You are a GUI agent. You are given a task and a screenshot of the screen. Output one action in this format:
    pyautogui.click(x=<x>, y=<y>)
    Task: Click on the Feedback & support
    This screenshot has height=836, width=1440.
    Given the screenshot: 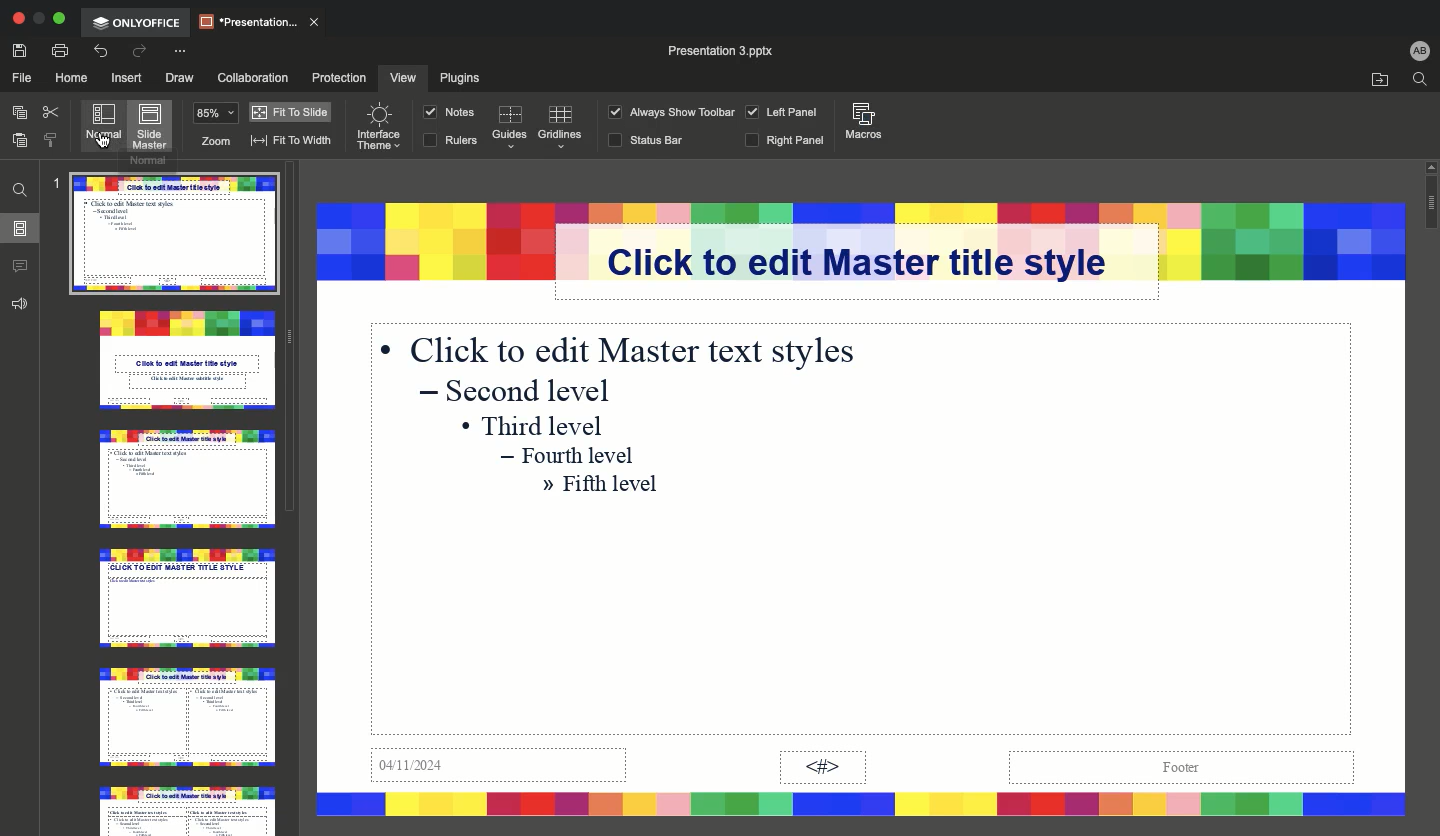 What is the action you would take?
    pyautogui.click(x=22, y=302)
    